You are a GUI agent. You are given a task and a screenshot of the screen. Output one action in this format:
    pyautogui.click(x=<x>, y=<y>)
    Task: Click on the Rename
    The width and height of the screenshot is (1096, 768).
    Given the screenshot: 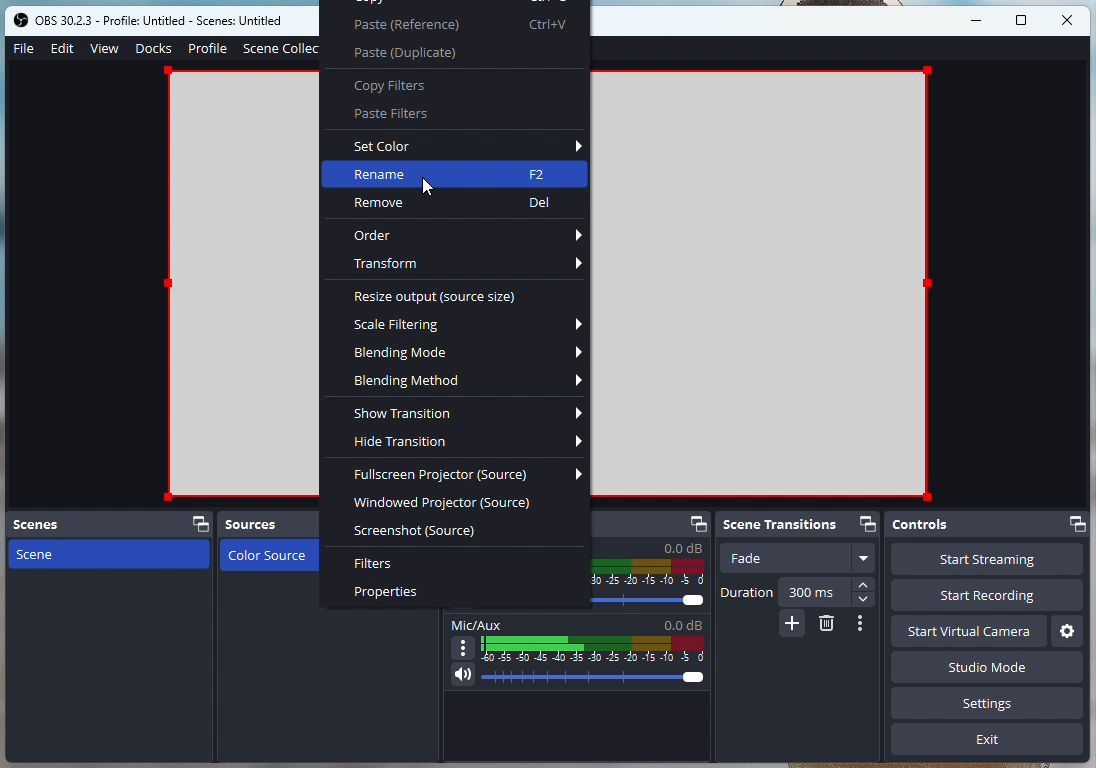 What is the action you would take?
    pyautogui.click(x=455, y=173)
    